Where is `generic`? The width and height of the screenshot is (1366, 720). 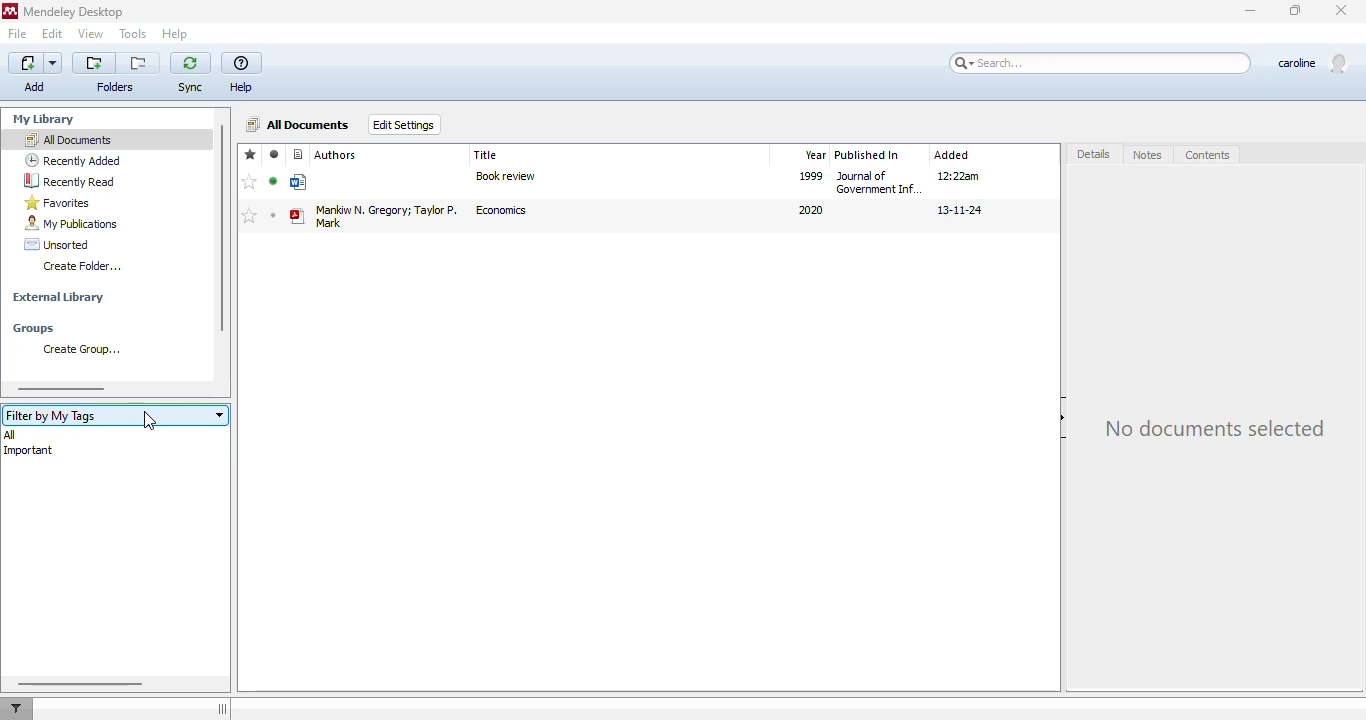 generic is located at coordinates (300, 183).